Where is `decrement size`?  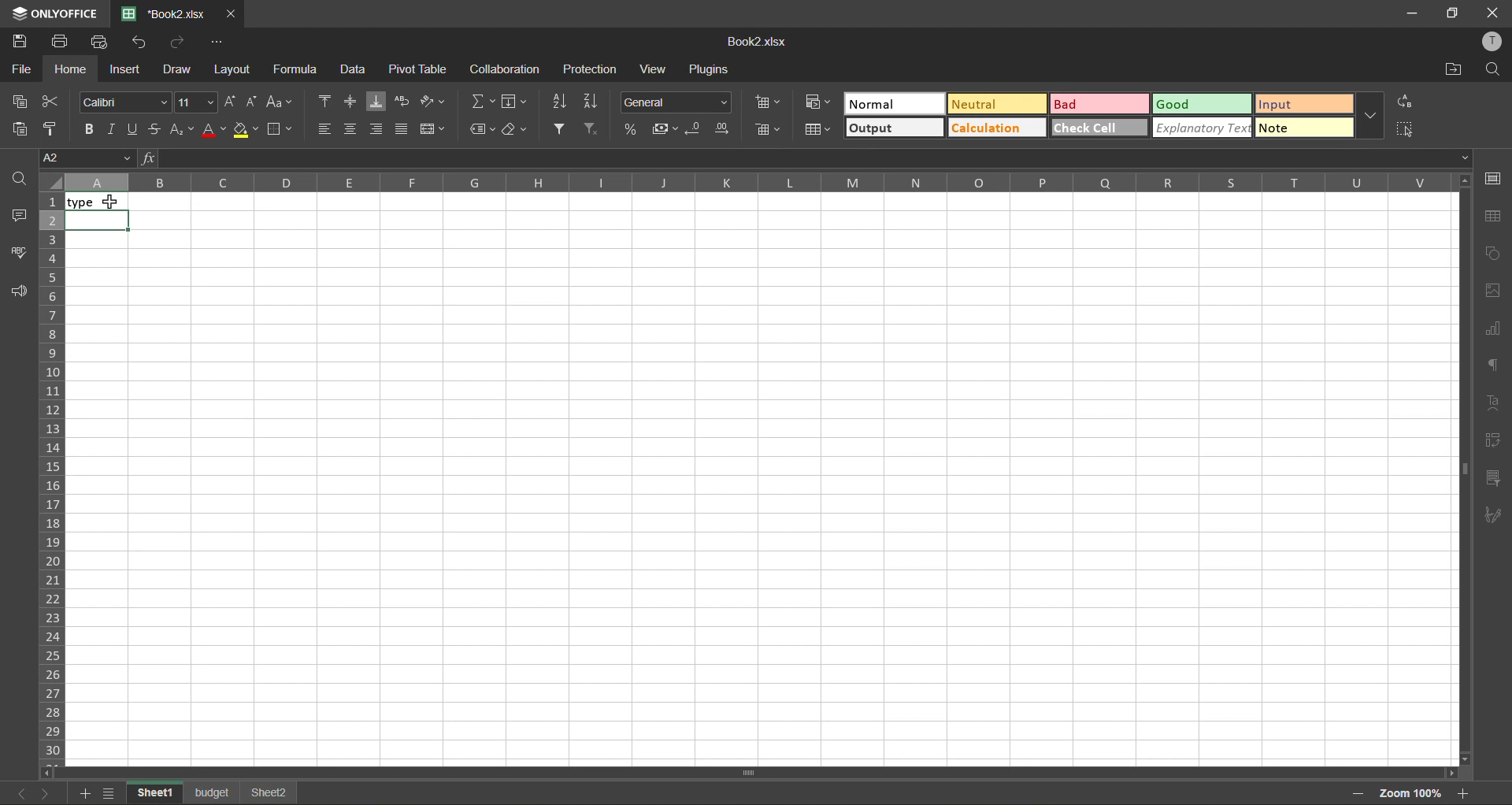
decrement size is located at coordinates (253, 101).